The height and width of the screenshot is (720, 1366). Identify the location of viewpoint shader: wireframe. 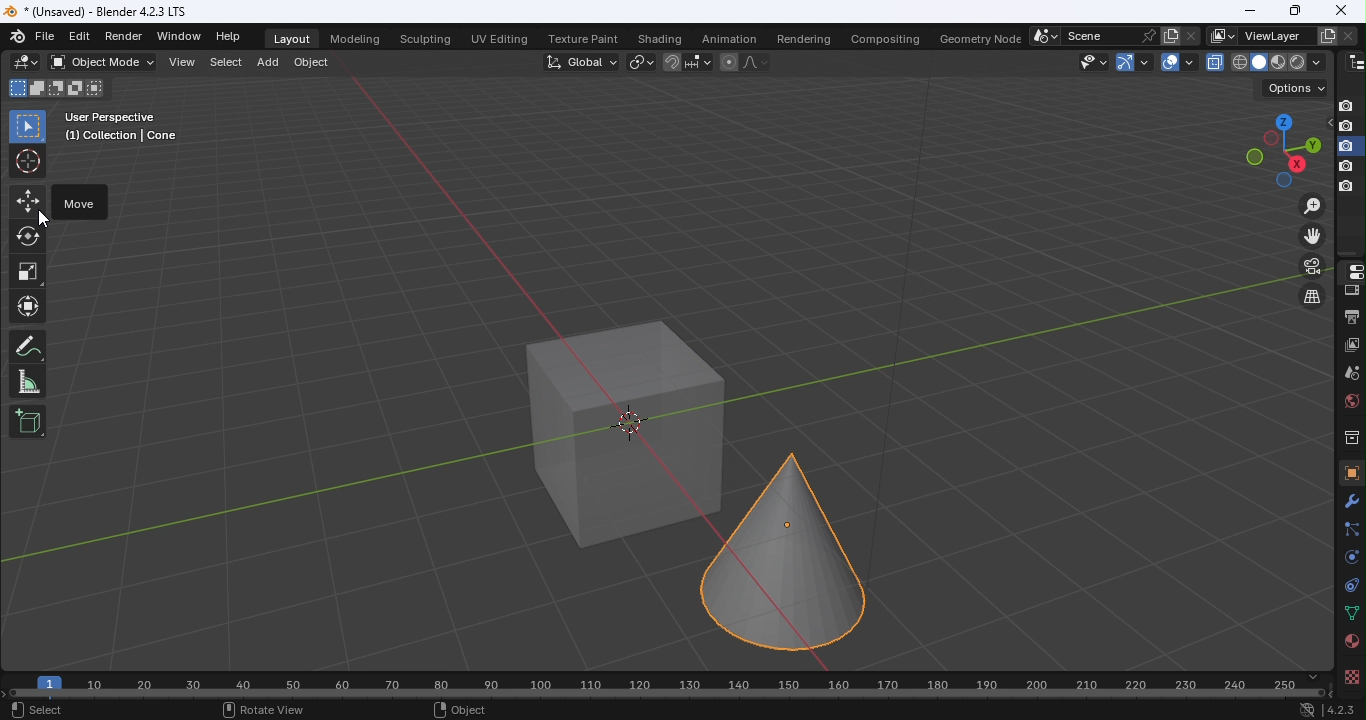
(1239, 61).